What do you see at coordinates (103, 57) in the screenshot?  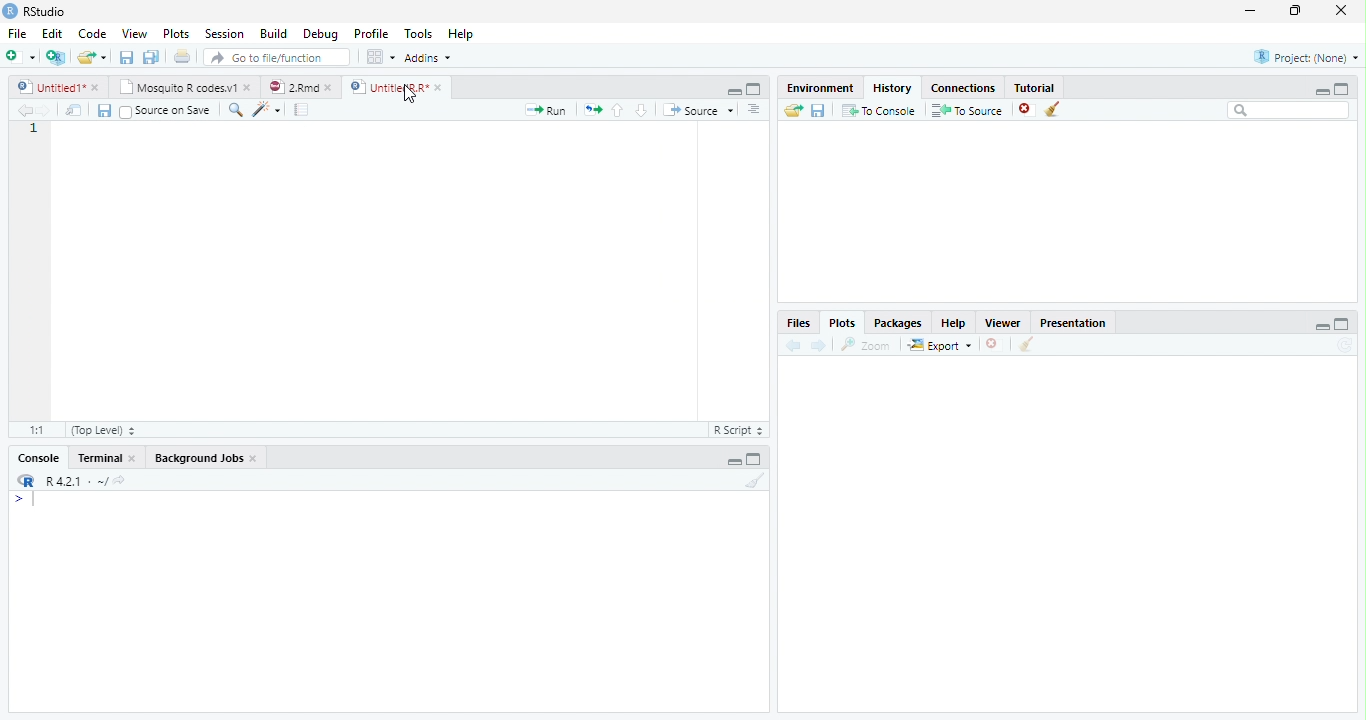 I see `Open recent files` at bounding box center [103, 57].